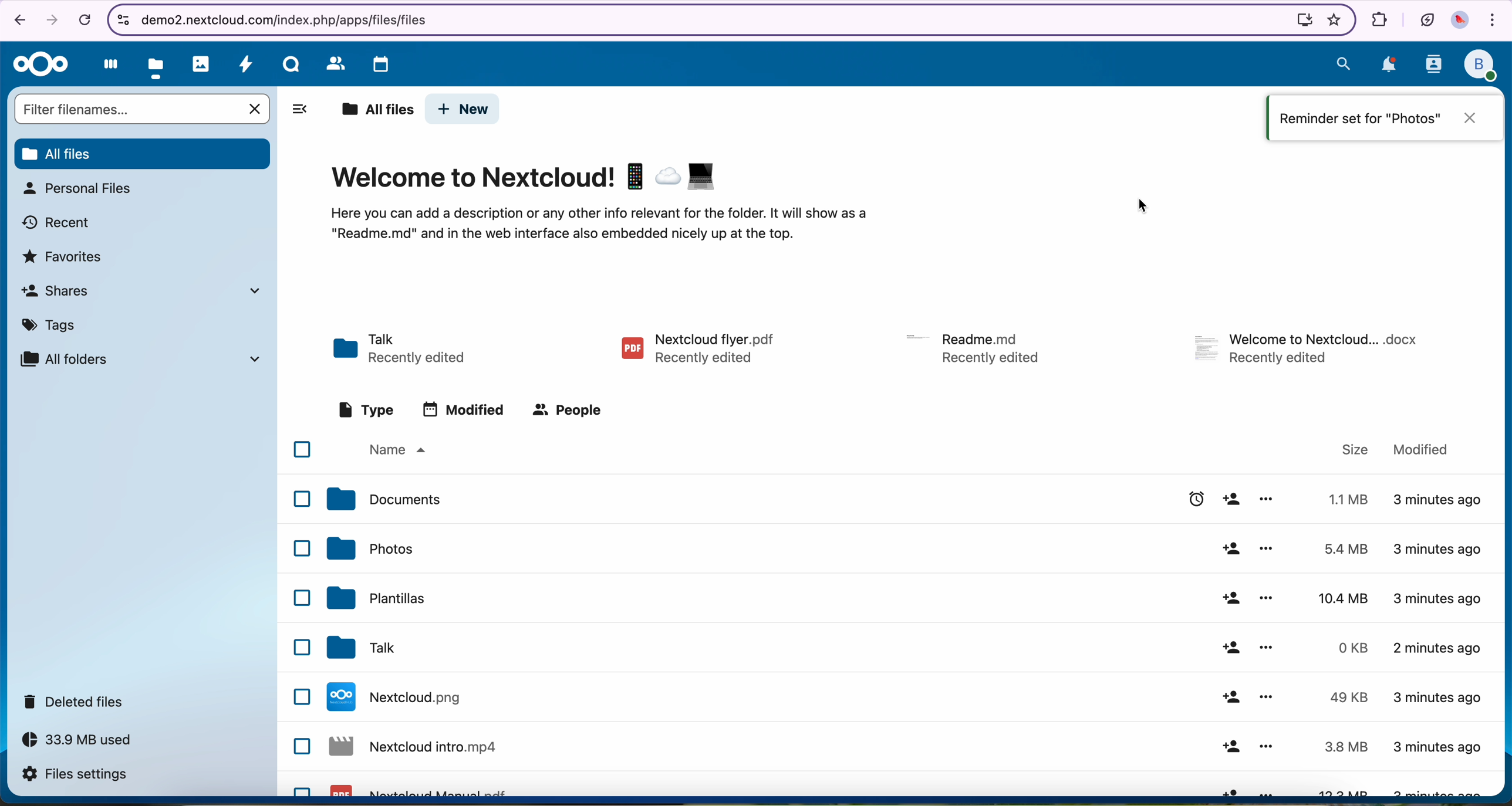 This screenshot has height=806, width=1512. What do you see at coordinates (1300, 21) in the screenshot?
I see `install Nextcloud` at bounding box center [1300, 21].